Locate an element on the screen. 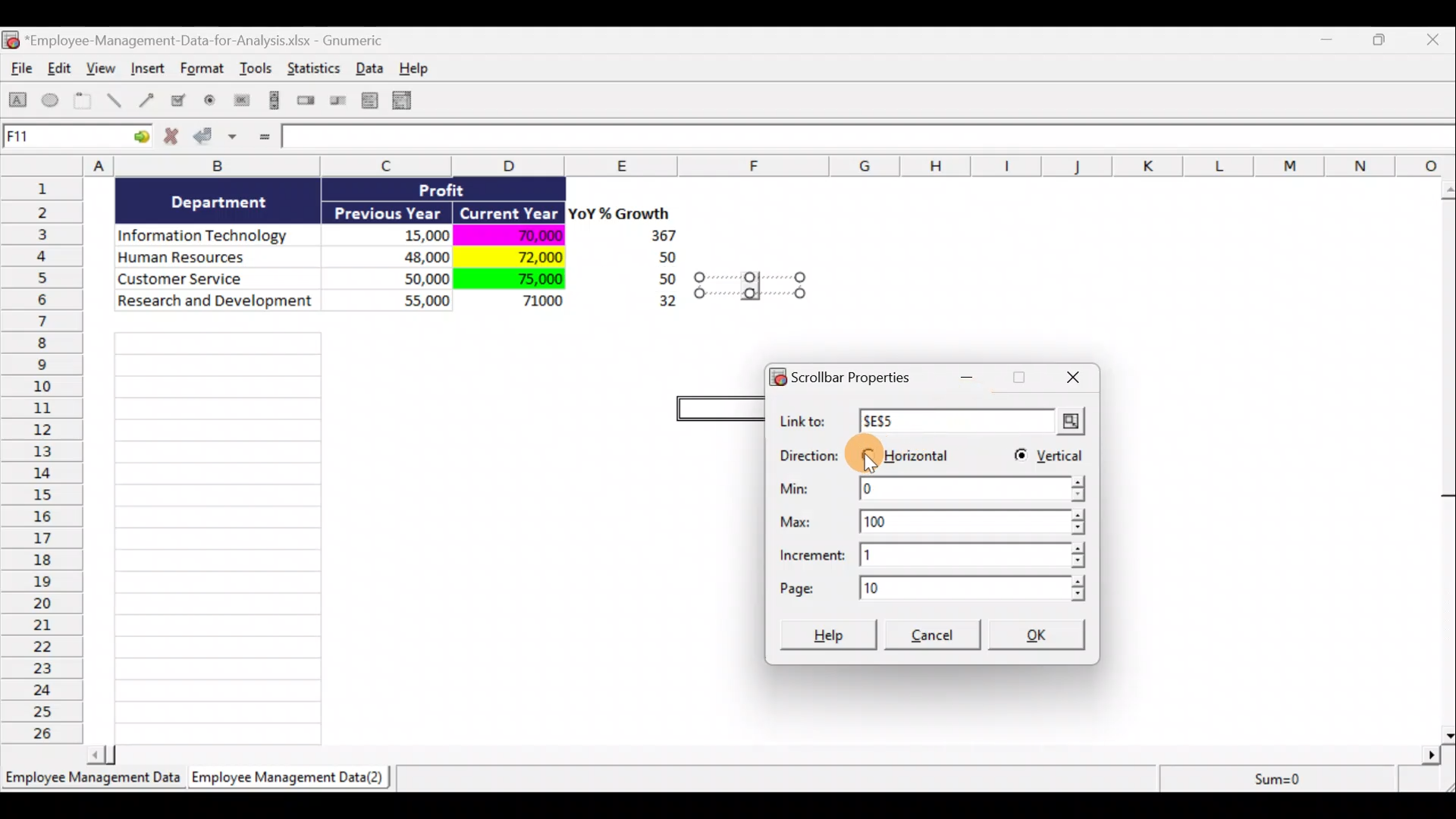 The width and height of the screenshot is (1456, 819). View is located at coordinates (103, 68).